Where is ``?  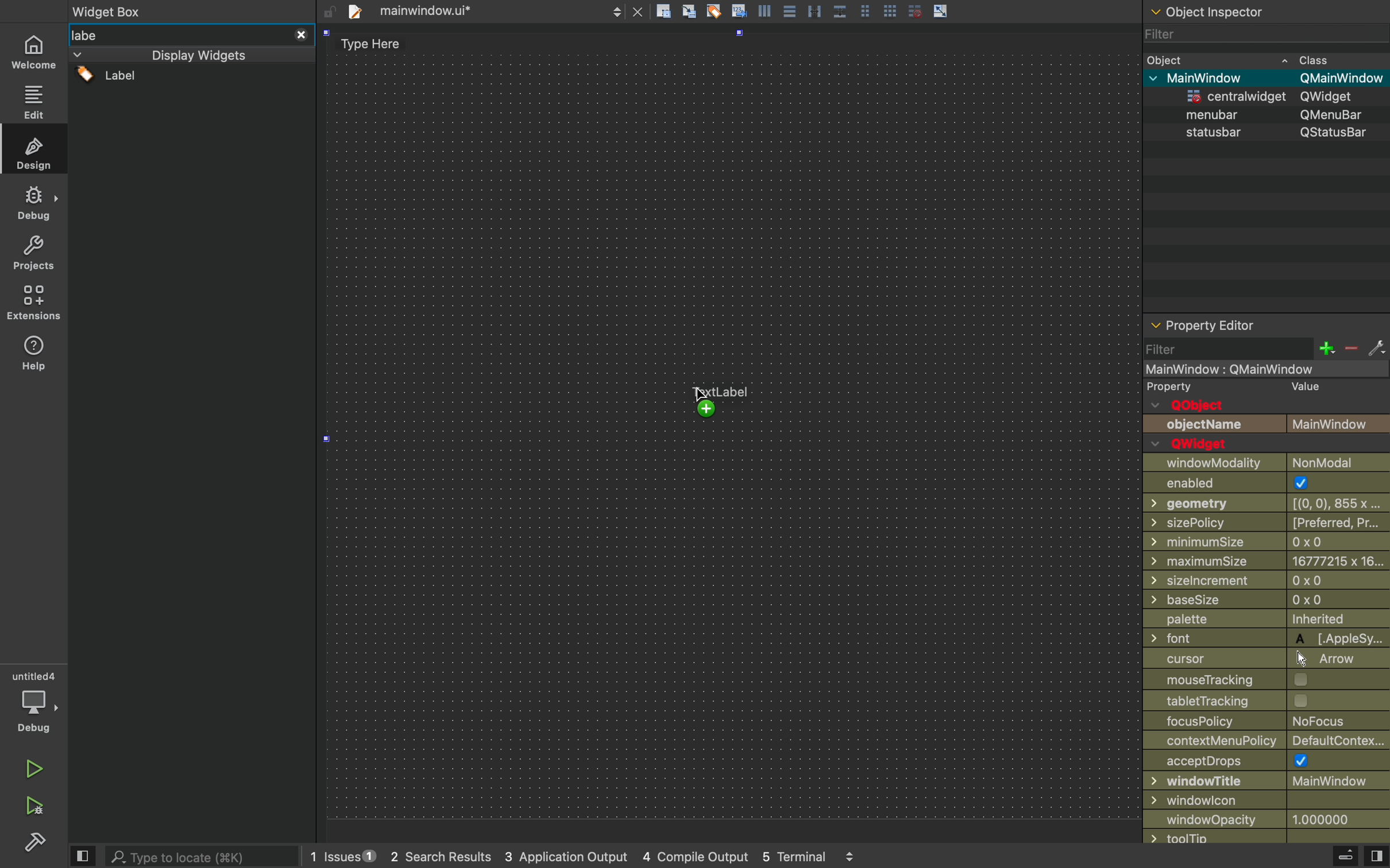
 is located at coordinates (192, 11).